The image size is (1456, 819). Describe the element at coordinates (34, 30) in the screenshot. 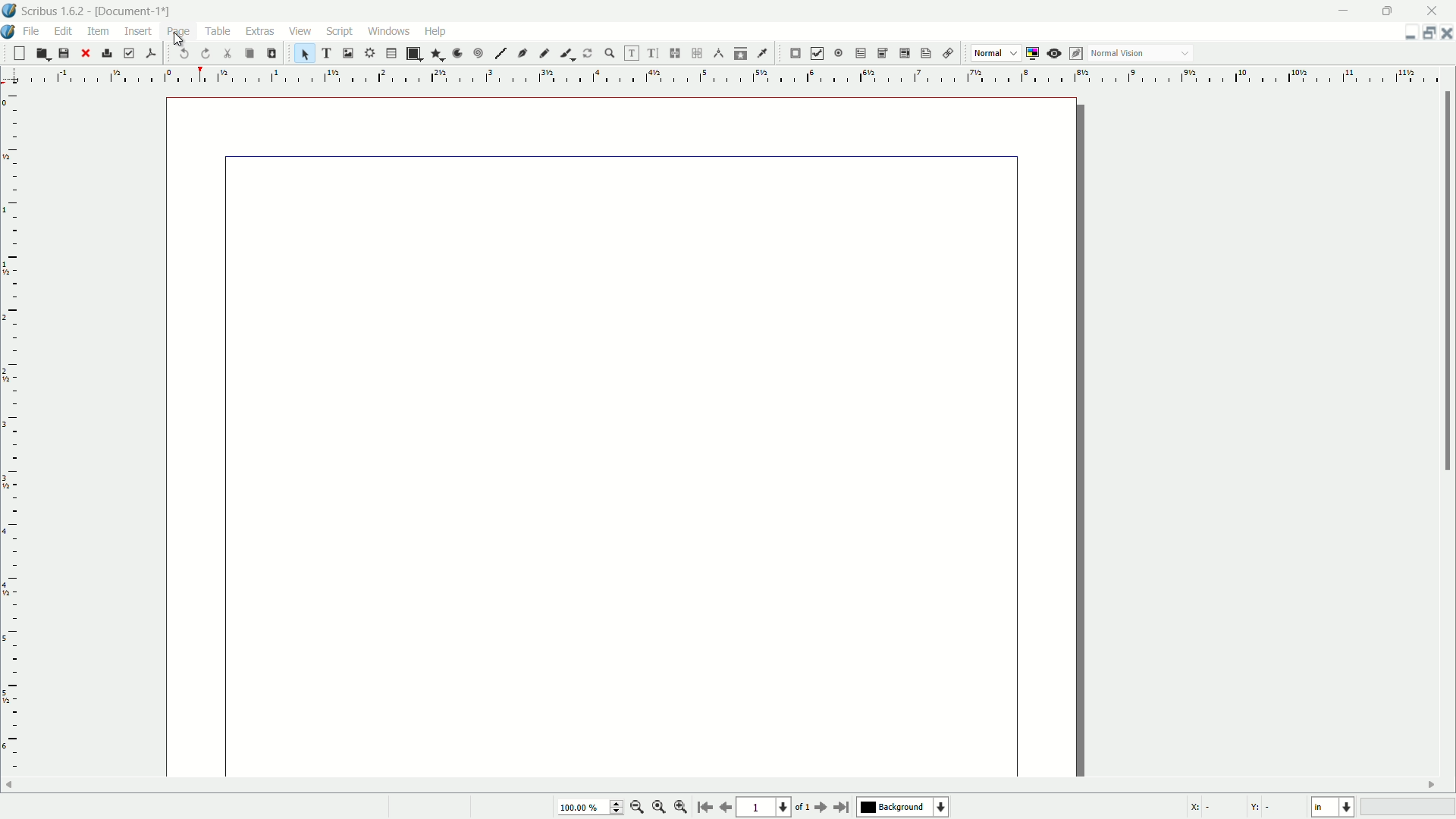

I see `file menu` at that location.